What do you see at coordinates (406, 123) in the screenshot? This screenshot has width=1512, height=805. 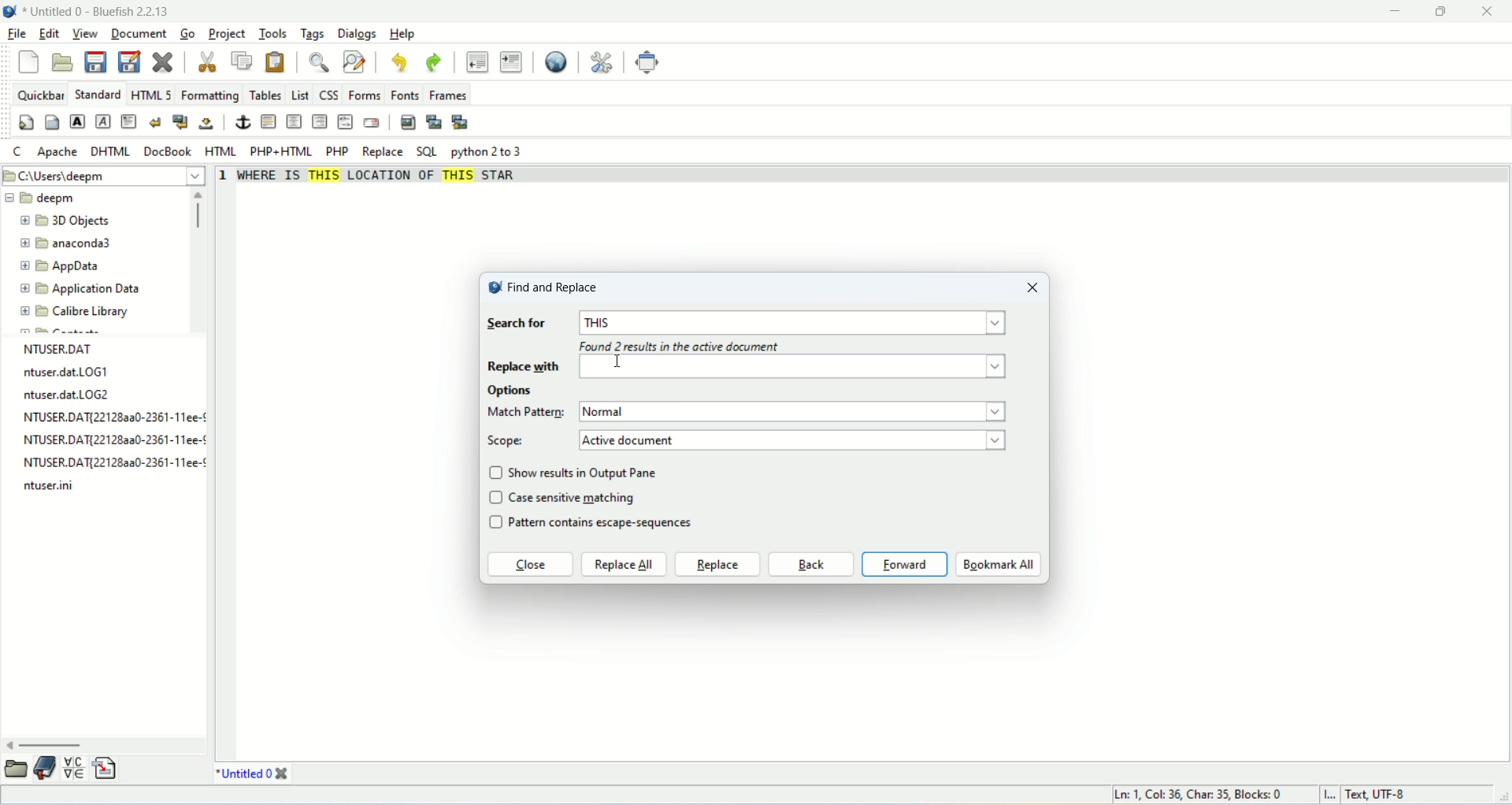 I see `insert image` at bounding box center [406, 123].